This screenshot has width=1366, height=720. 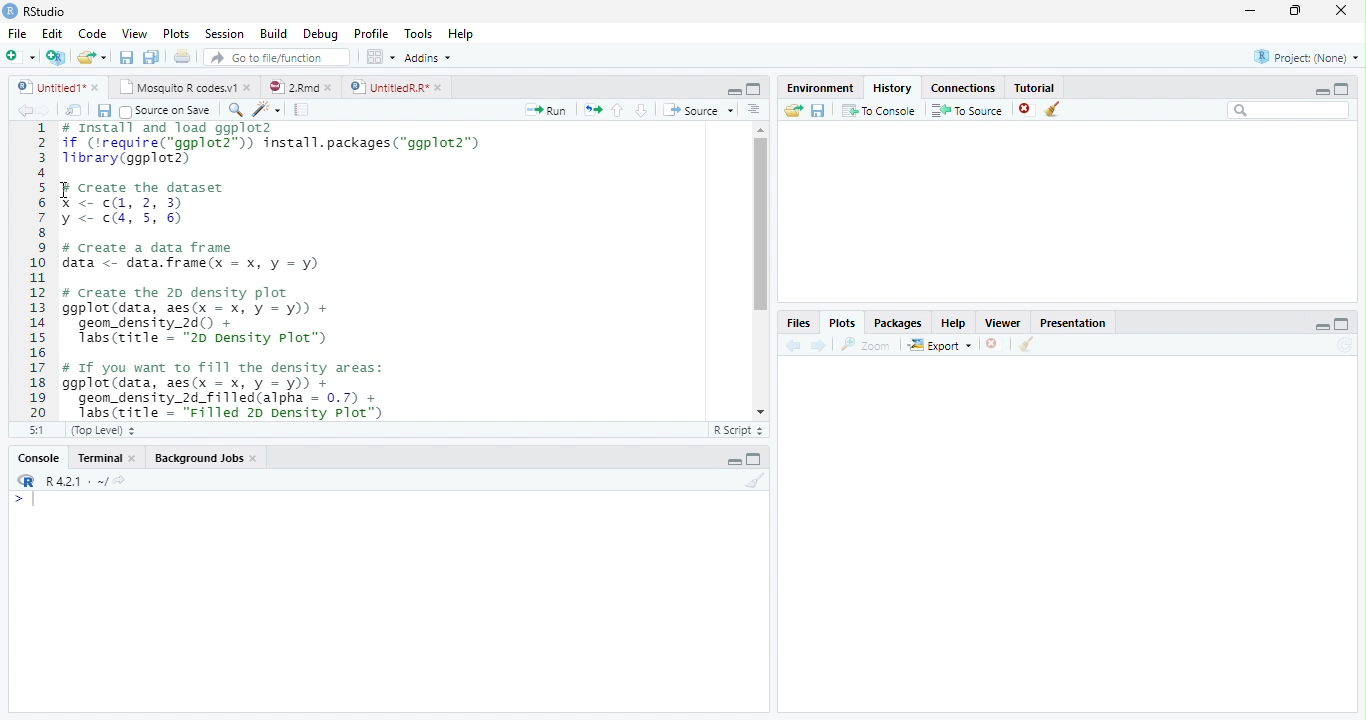 What do you see at coordinates (273, 57) in the screenshot?
I see `GO to file/function` at bounding box center [273, 57].